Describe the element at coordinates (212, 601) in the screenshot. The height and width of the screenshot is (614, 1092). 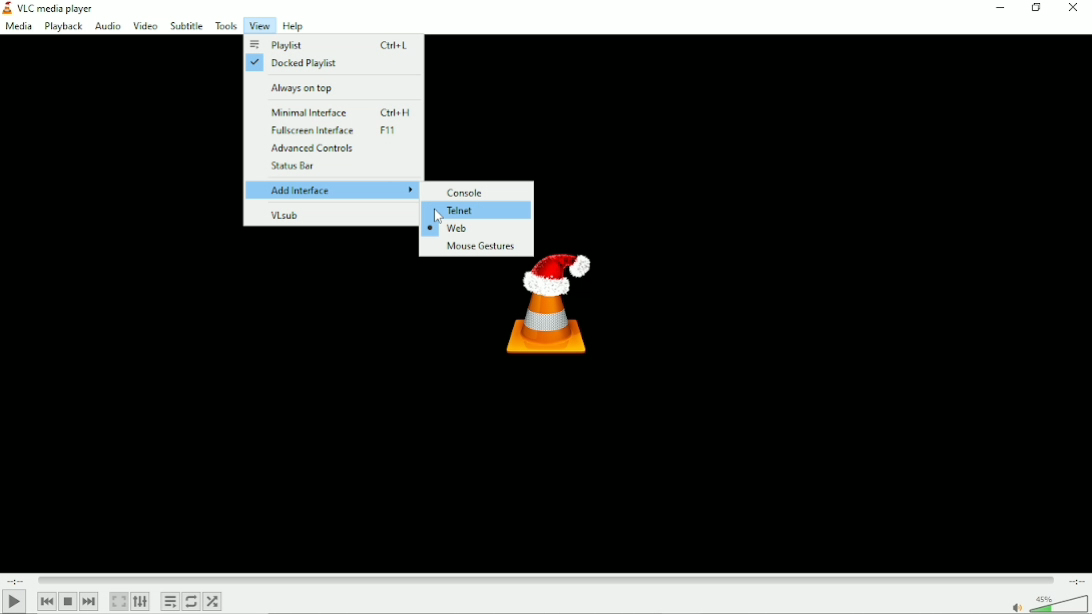
I see `Random` at that location.